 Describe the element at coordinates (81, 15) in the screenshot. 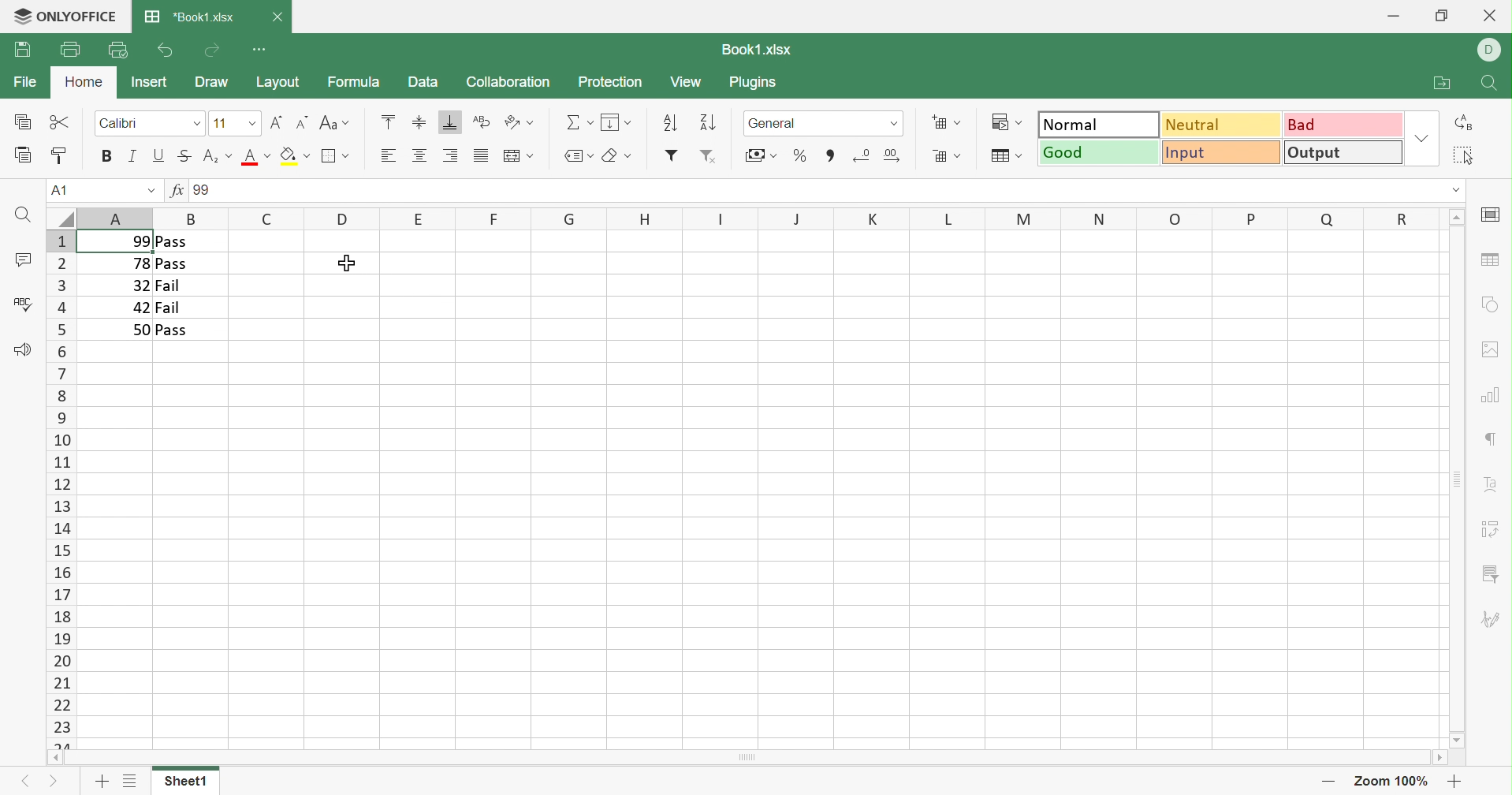

I see `ONLYOFFICE` at that location.